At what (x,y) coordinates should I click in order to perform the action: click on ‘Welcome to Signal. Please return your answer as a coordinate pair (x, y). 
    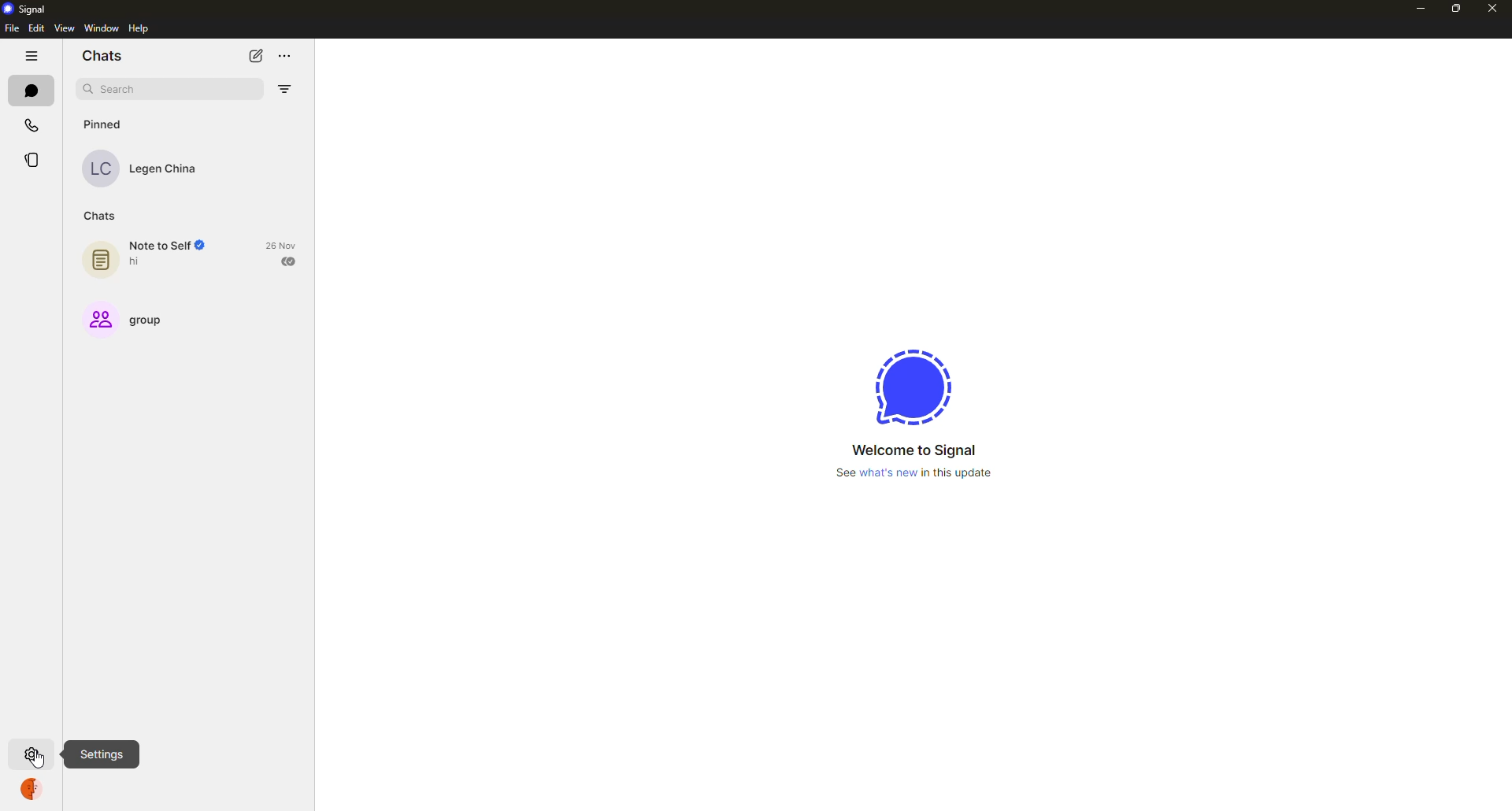
    Looking at the image, I should click on (918, 450).